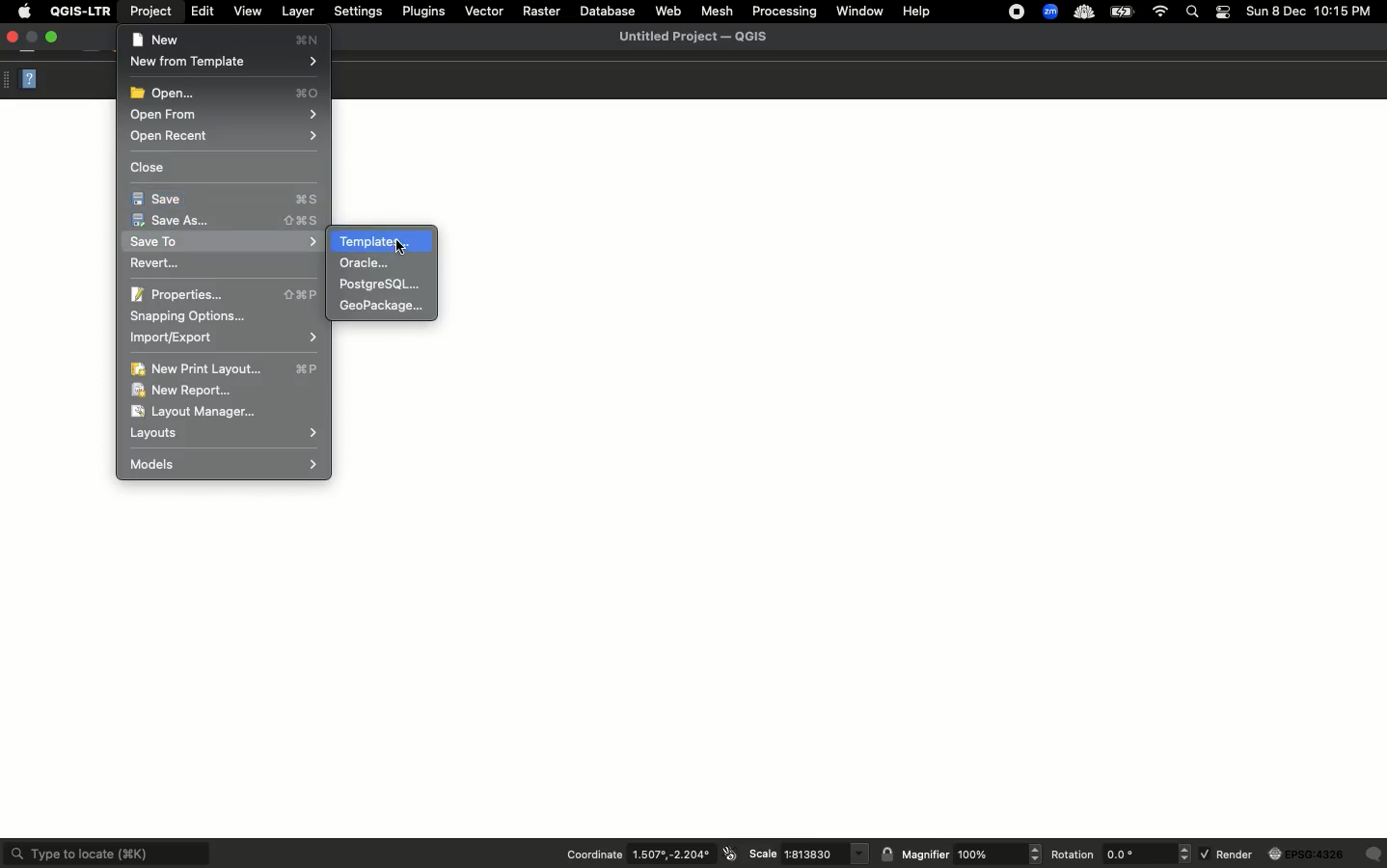 The width and height of the screenshot is (1387, 868). Describe the element at coordinates (825, 854) in the screenshot. I see `scale` at that location.